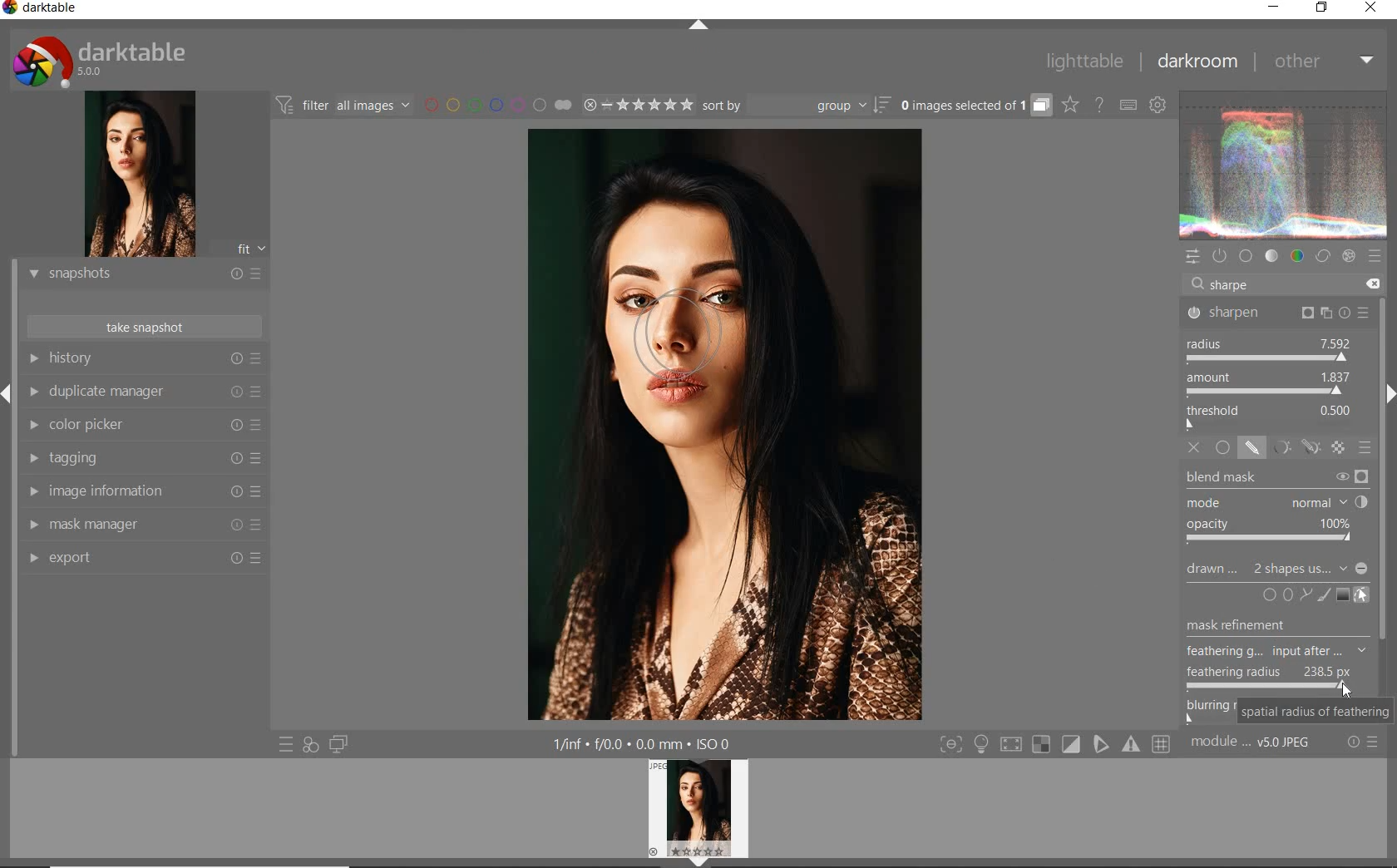 The width and height of the screenshot is (1397, 868). Describe the element at coordinates (309, 746) in the screenshot. I see `quick access for applying any of your styles` at that location.